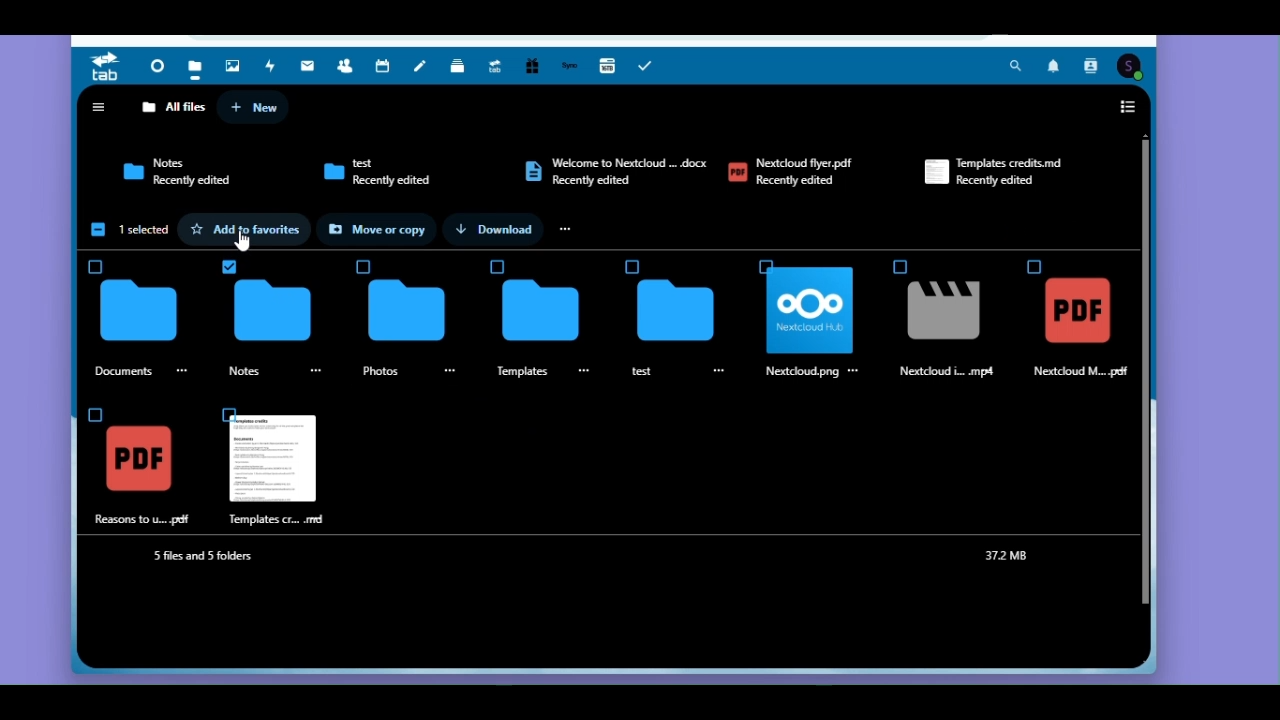 Image resolution: width=1280 pixels, height=720 pixels. Describe the element at coordinates (950, 372) in the screenshot. I see `Nextdoud i... .mp4.` at that location.